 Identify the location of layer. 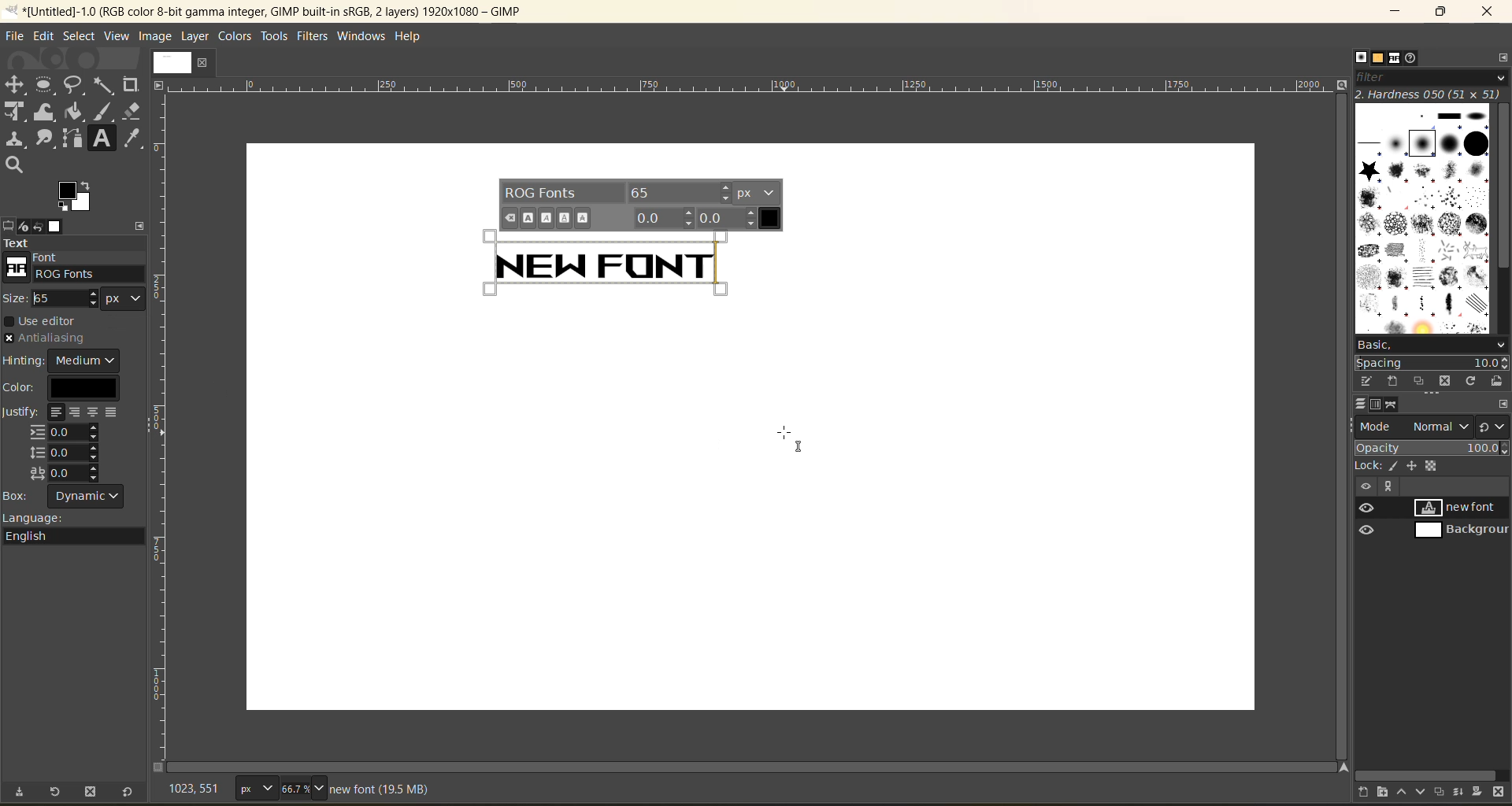
(196, 36).